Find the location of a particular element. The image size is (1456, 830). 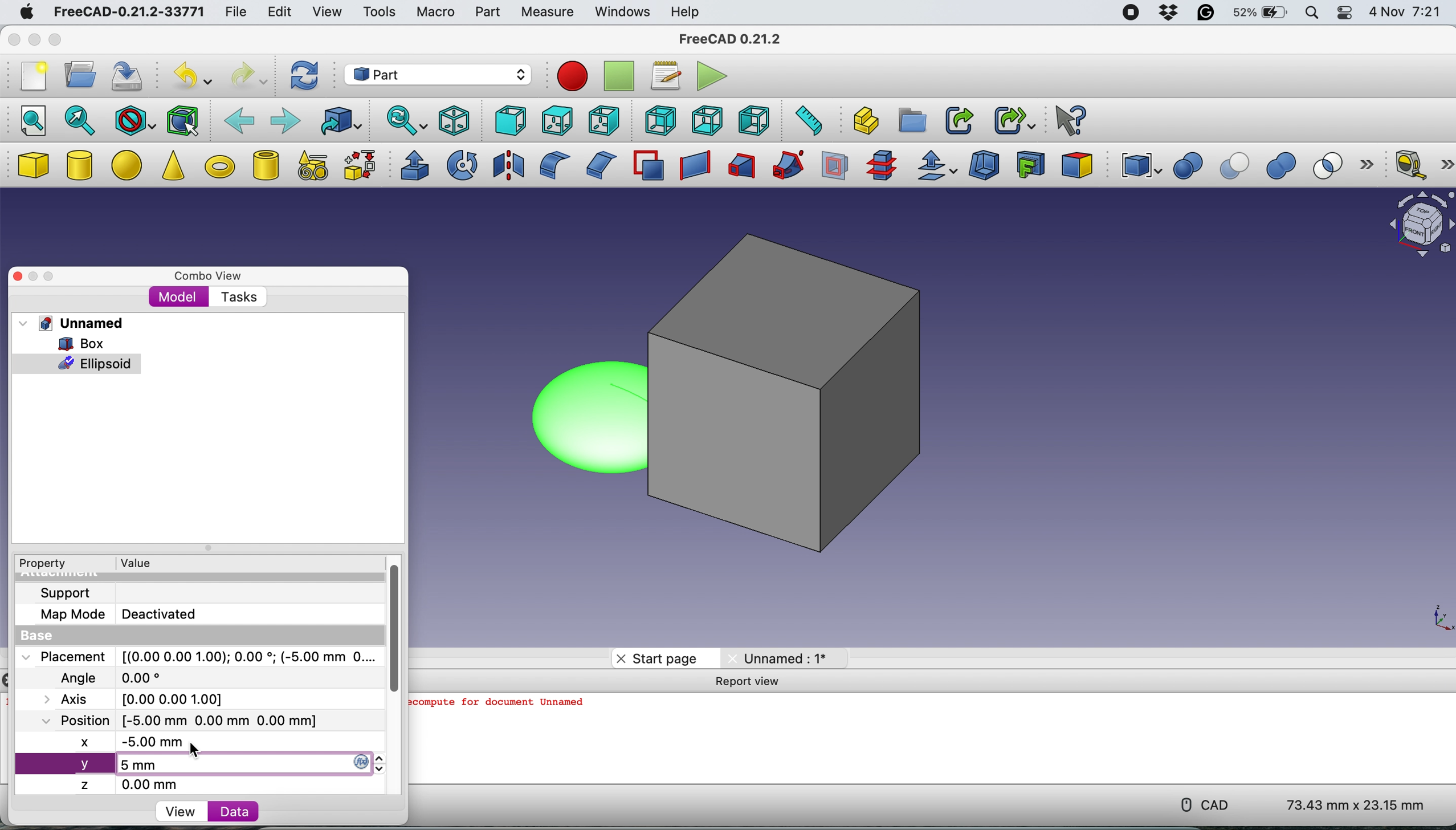

ecompute for document Unnamed is located at coordinates (501, 706).